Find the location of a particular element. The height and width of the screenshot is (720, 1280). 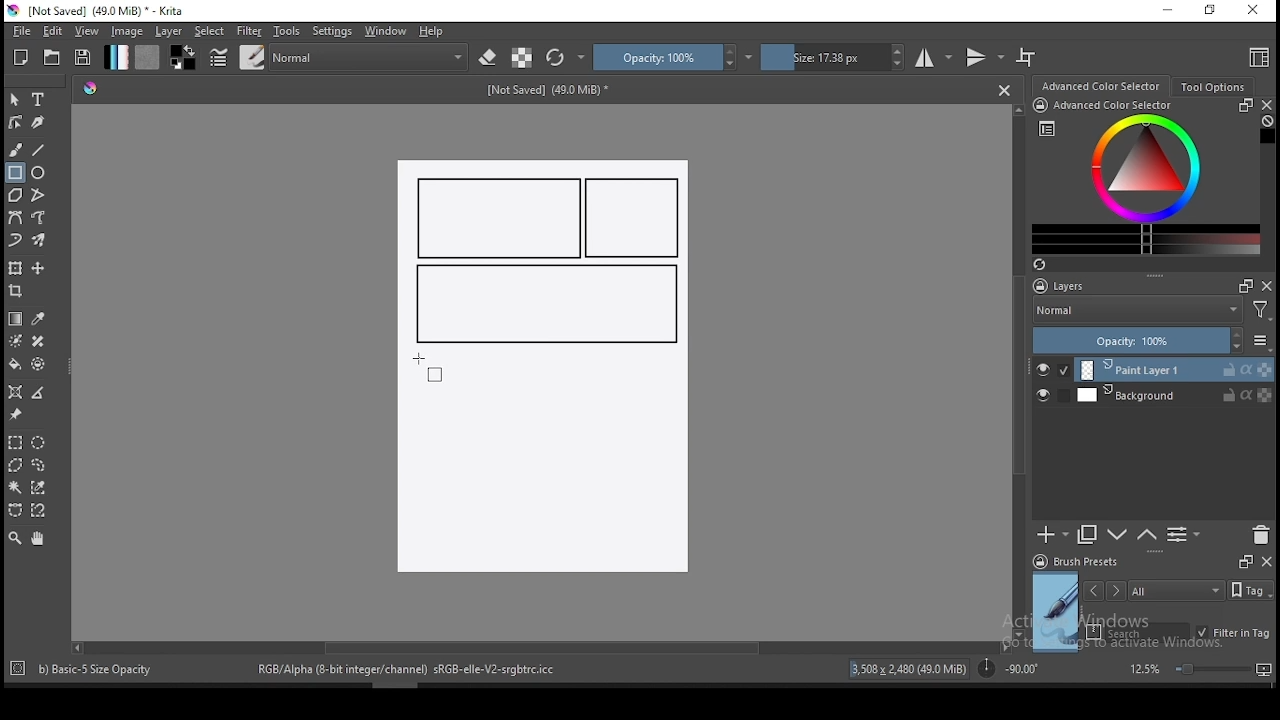

Clear is located at coordinates (1267, 123).